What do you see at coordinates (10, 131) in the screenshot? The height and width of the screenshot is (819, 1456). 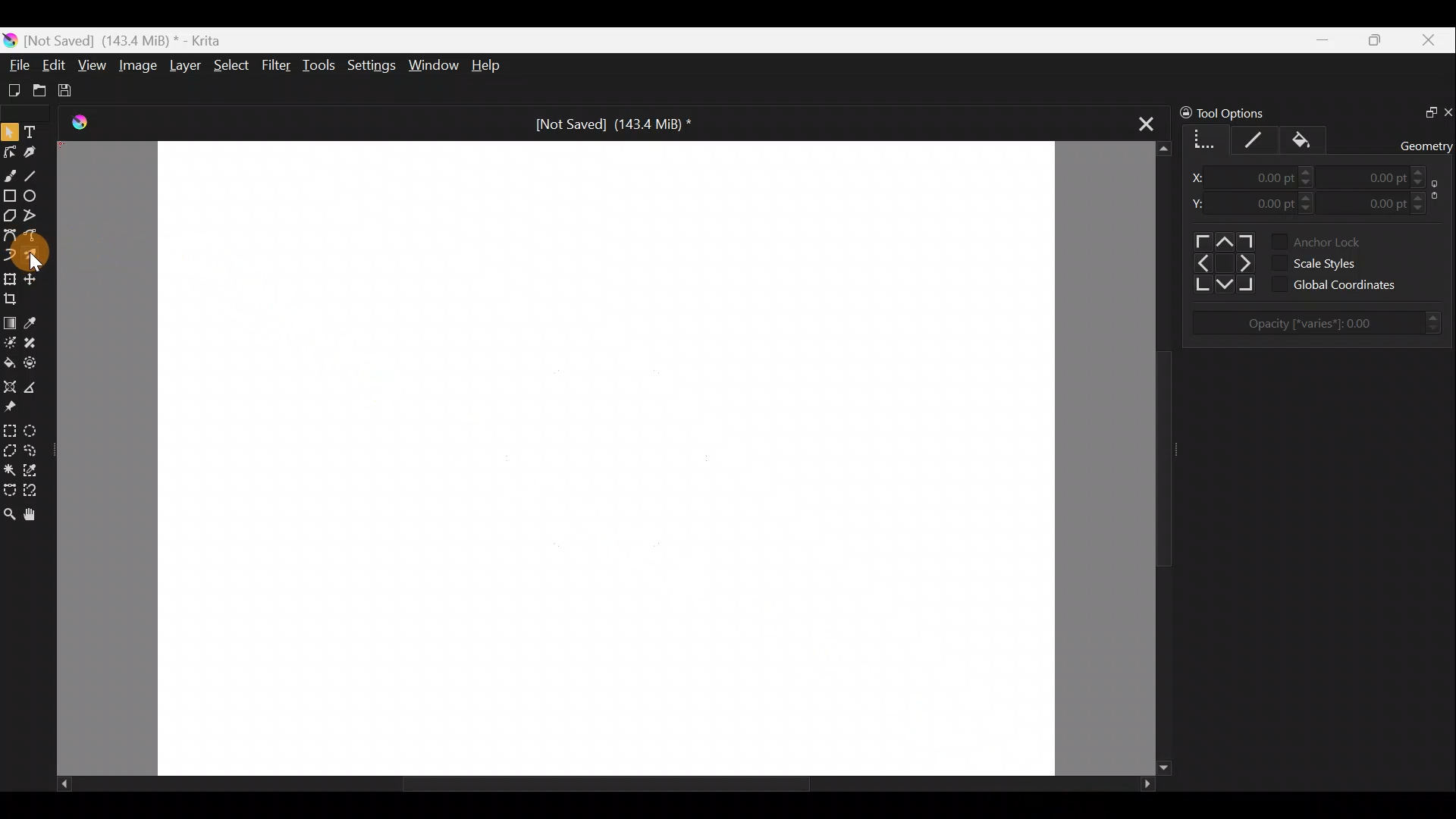 I see `Select shapes tool` at bounding box center [10, 131].